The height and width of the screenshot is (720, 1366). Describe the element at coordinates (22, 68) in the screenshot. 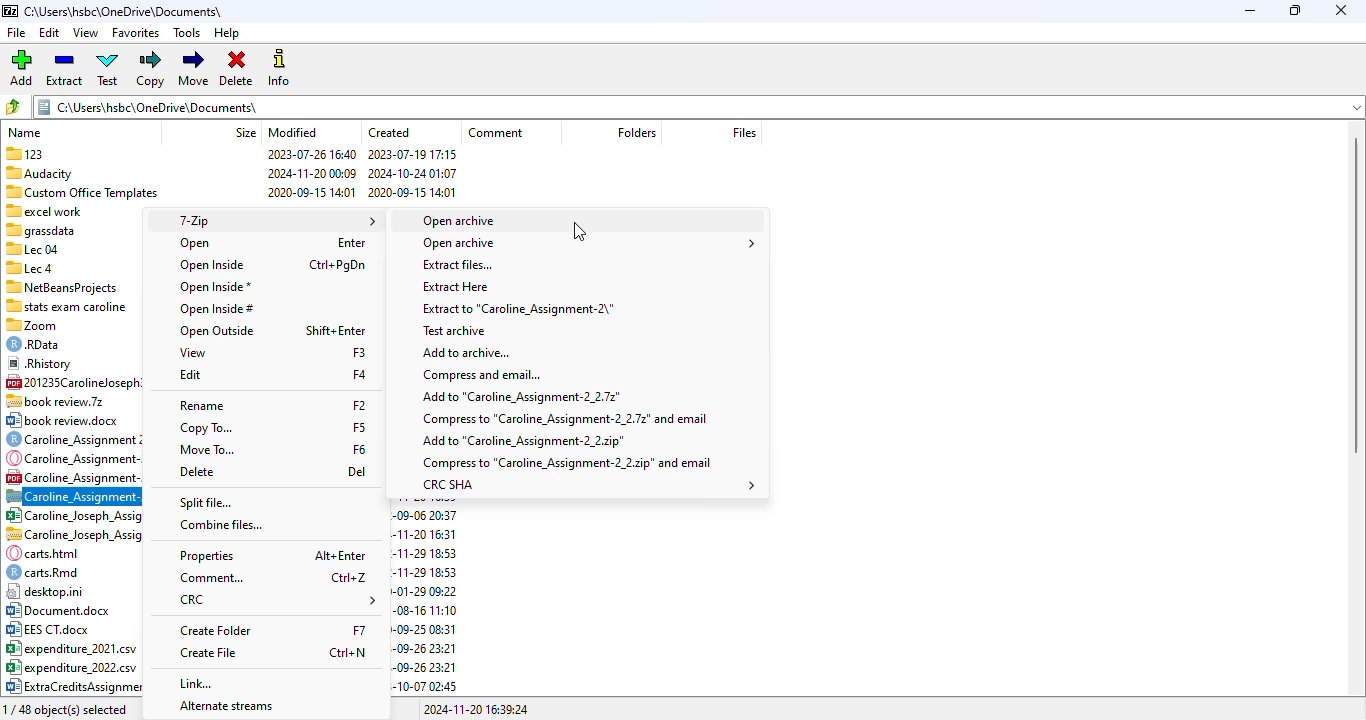

I see `add` at that location.